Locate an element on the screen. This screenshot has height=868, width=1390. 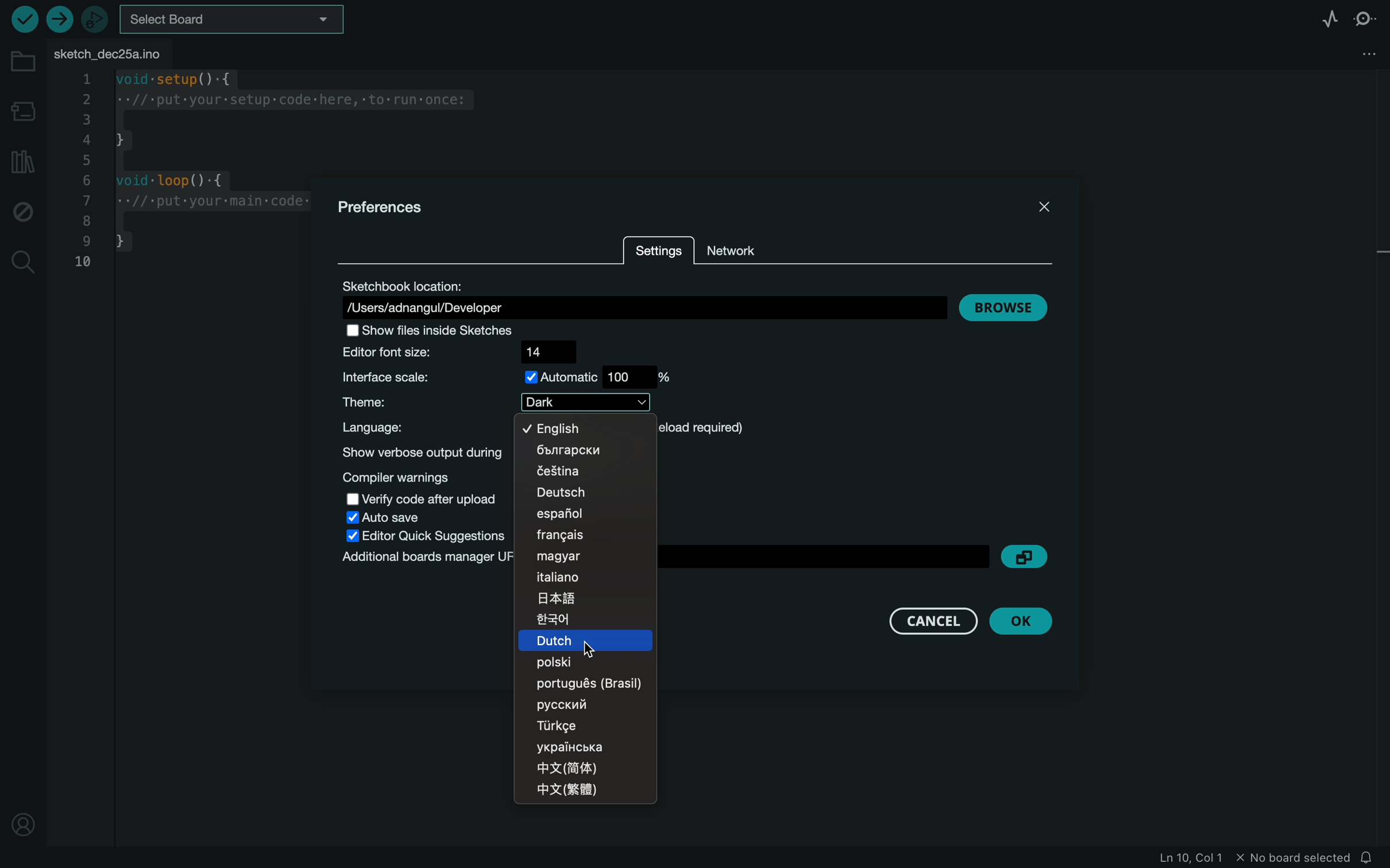
board  selecter is located at coordinates (234, 21).